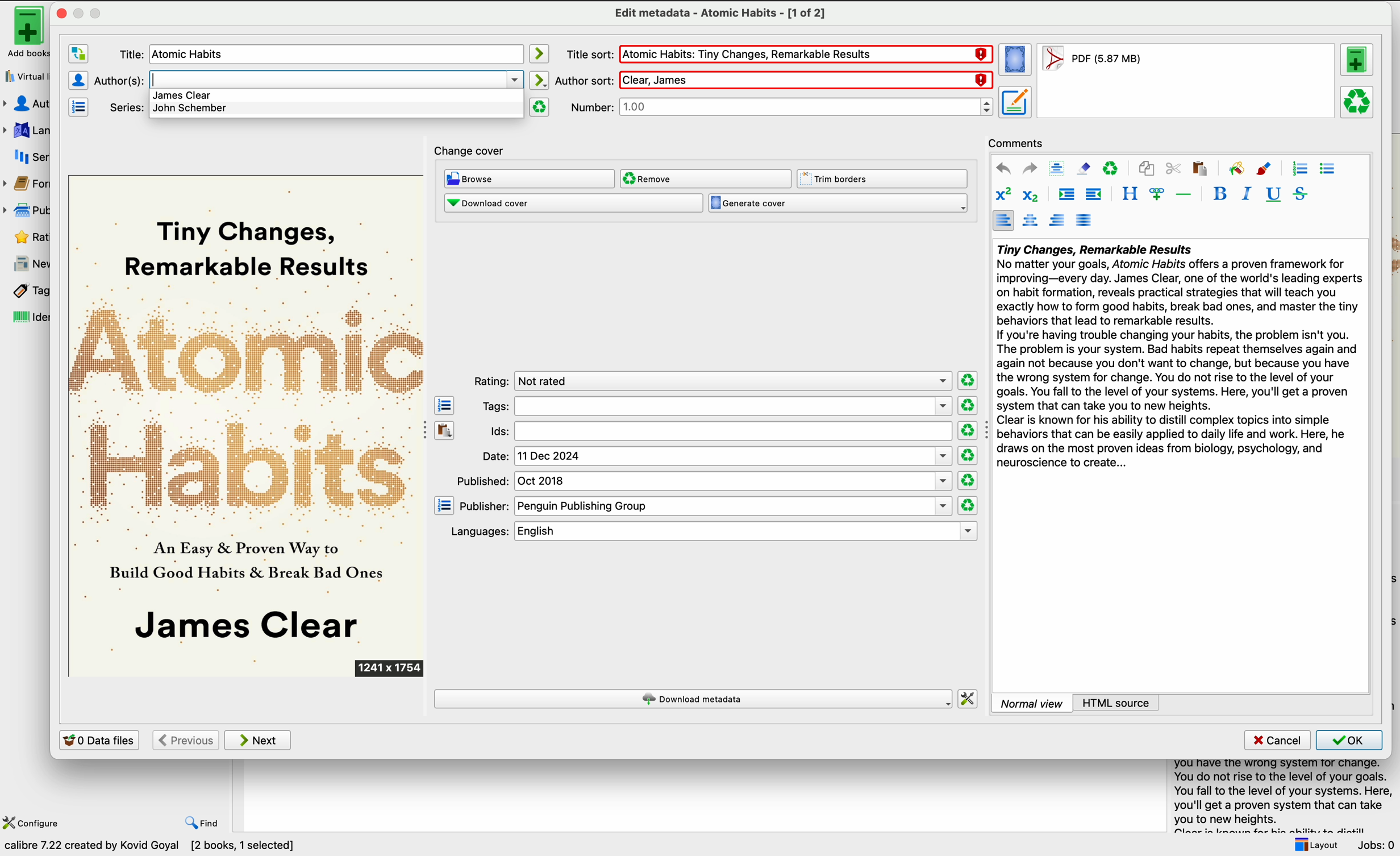 This screenshot has height=856, width=1400. I want to click on redo, so click(1030, 169).